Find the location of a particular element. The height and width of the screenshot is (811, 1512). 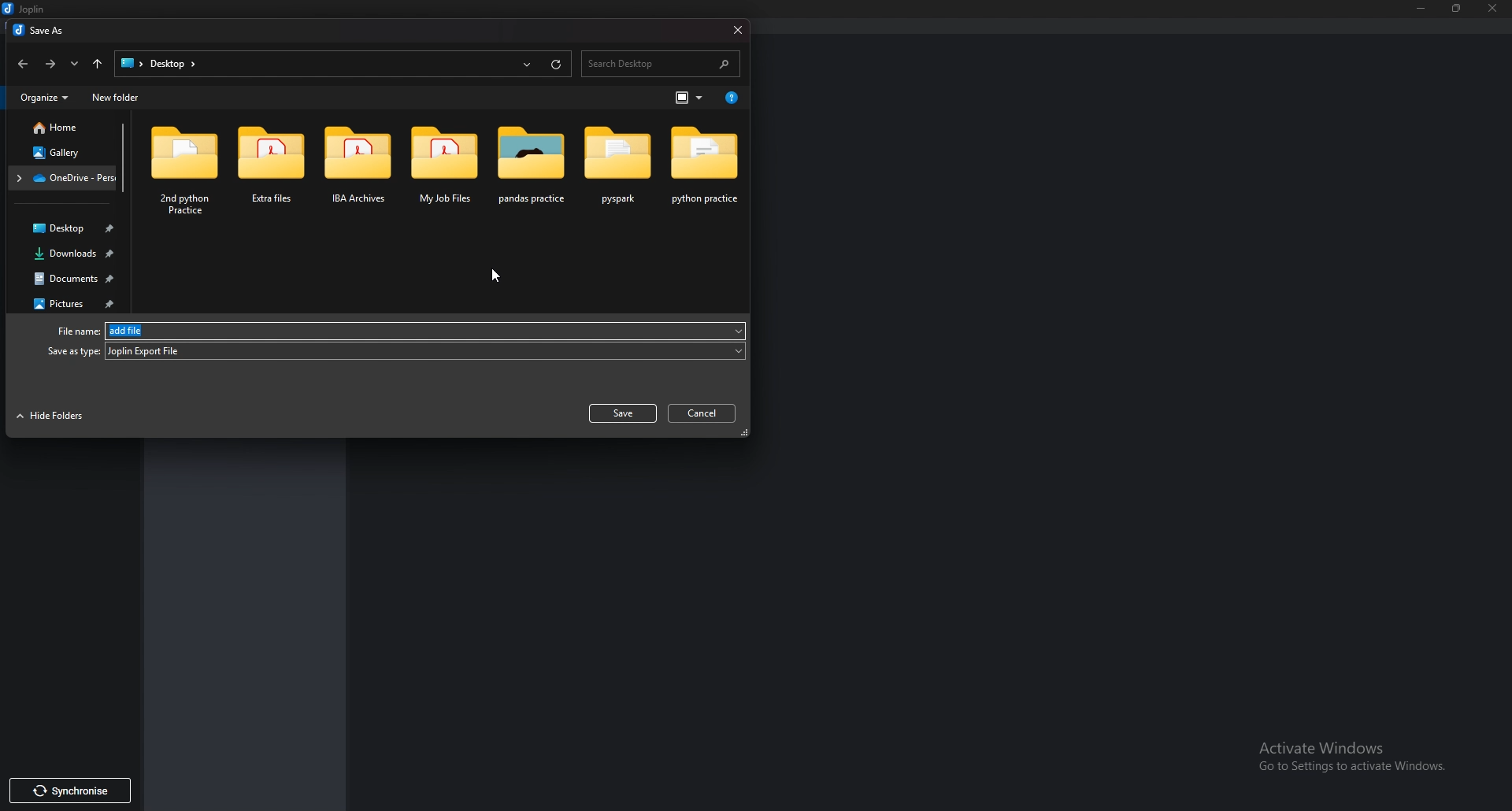

joplin is located at coordinates (29, 10).